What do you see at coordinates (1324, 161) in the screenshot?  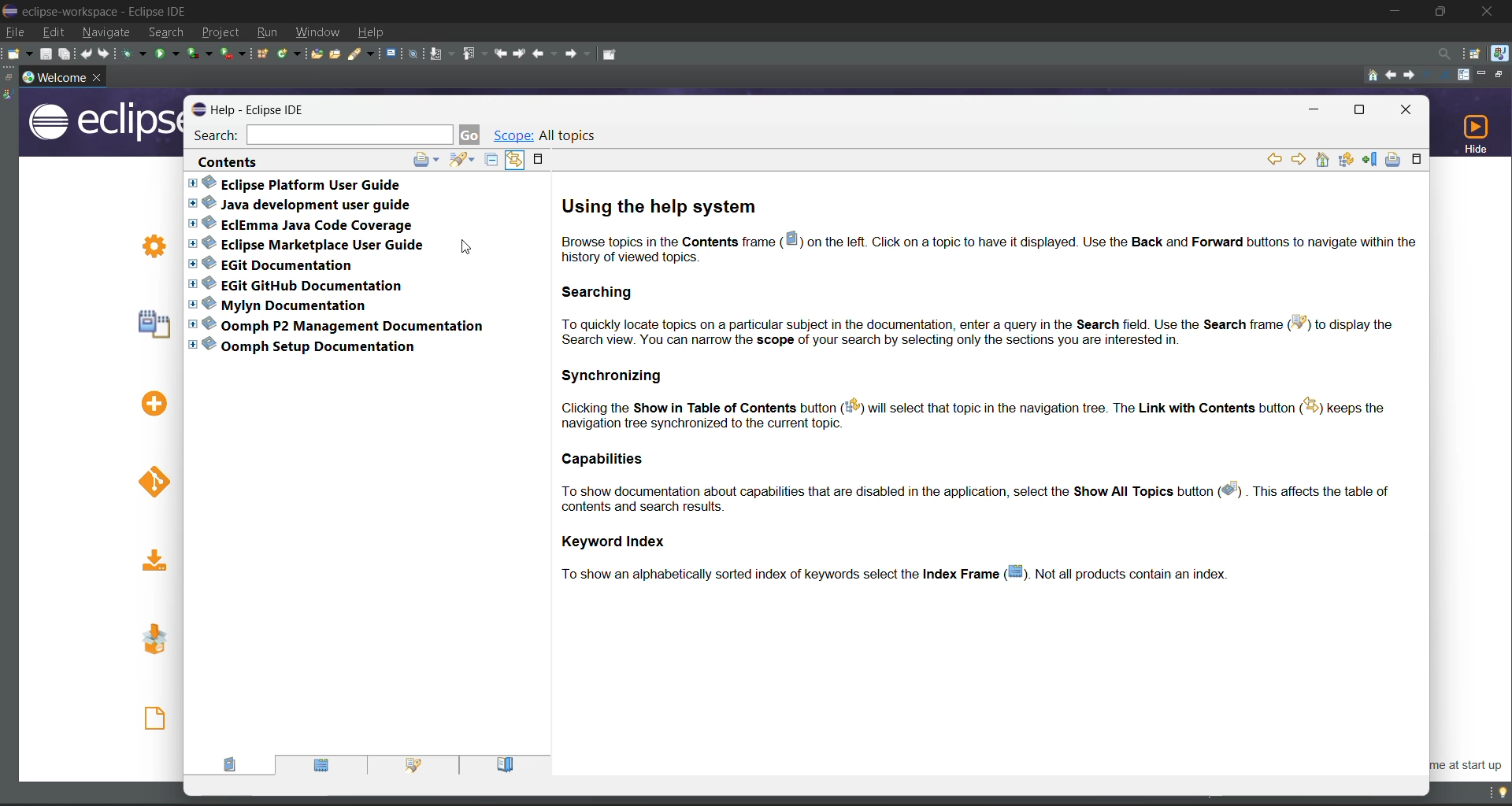 I see `home` at bounding box center [1324, 161].